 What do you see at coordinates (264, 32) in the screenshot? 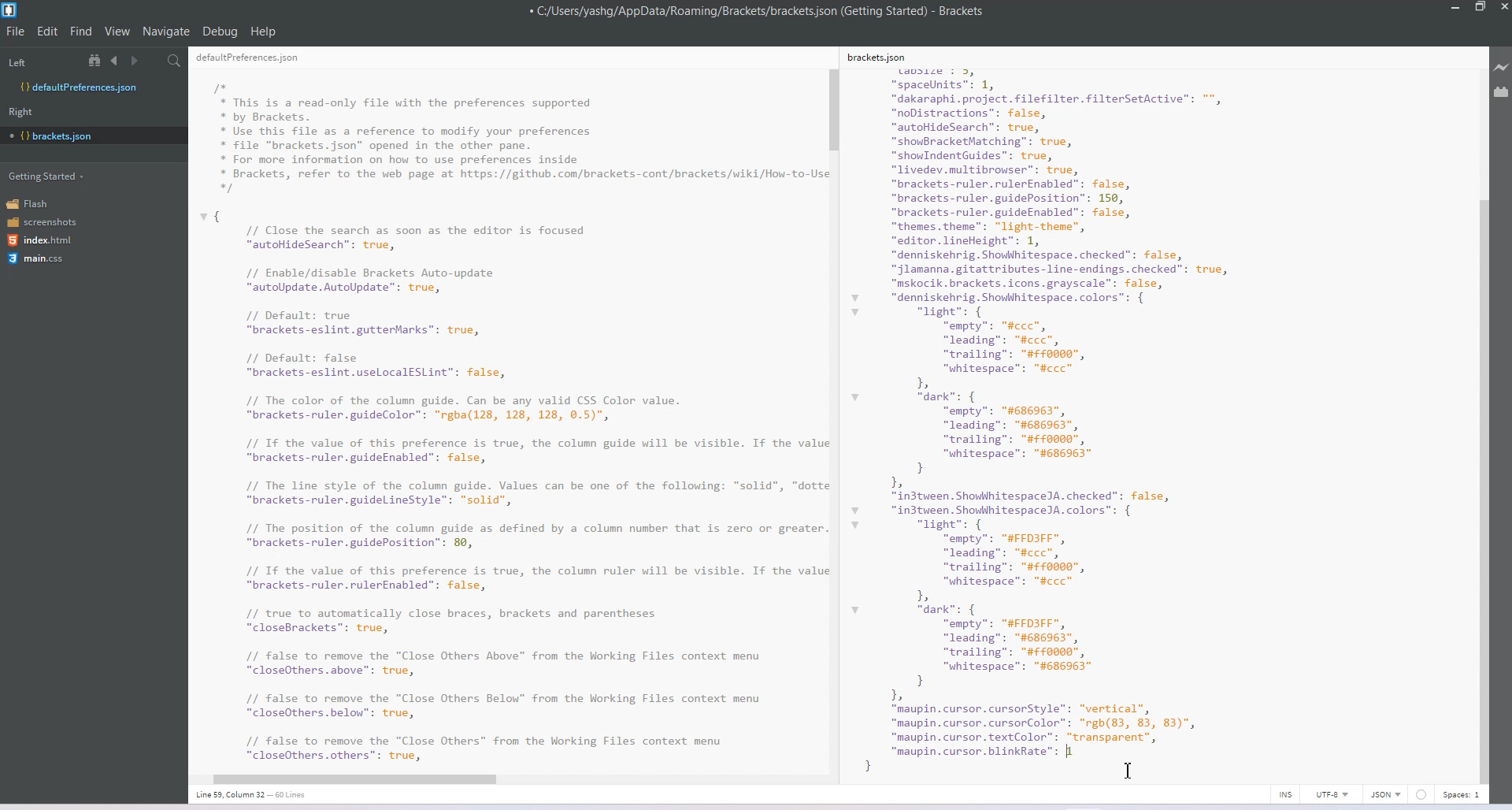
I see `Help` at bounding box center [264, 32].